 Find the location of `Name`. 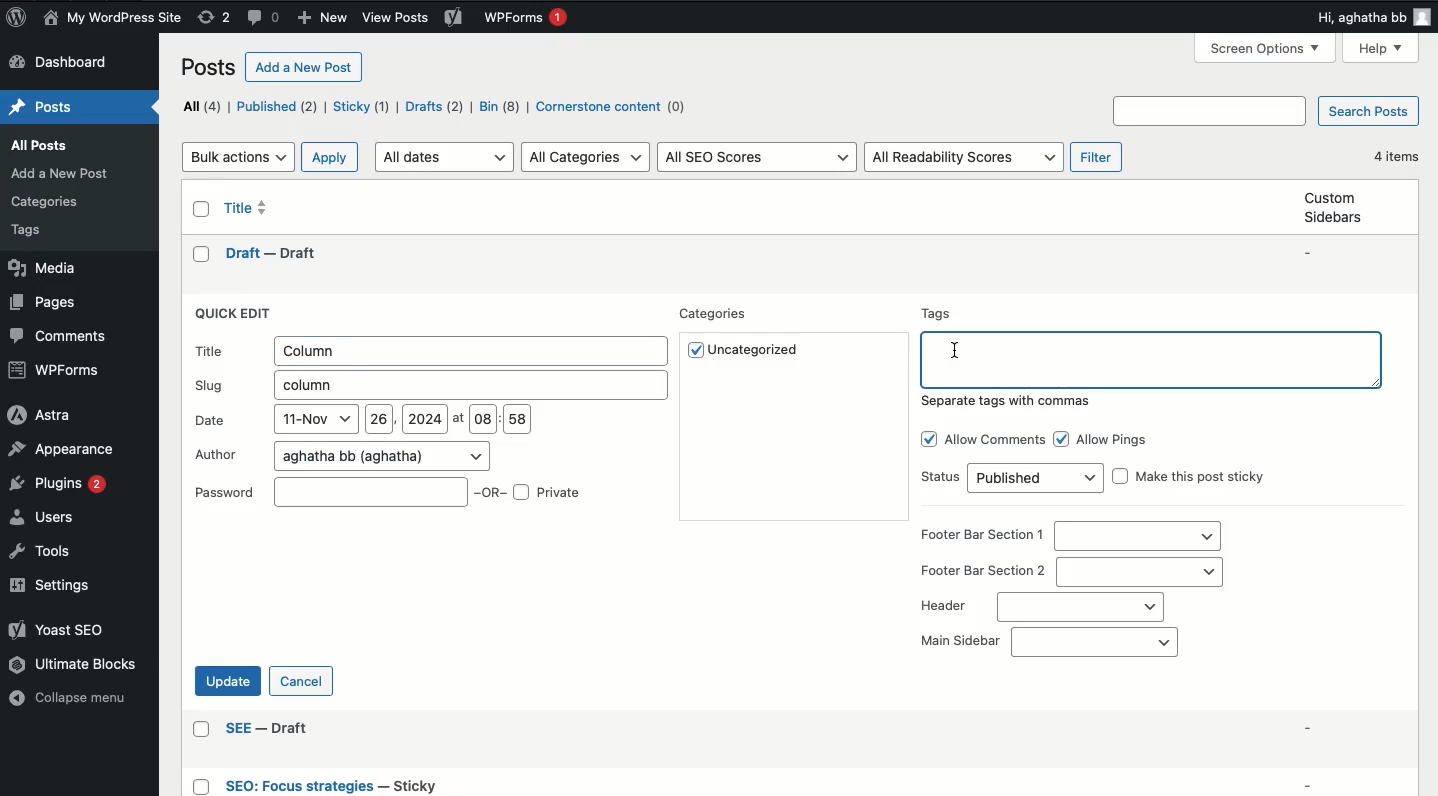

Name is located at coordinates (111, 18).